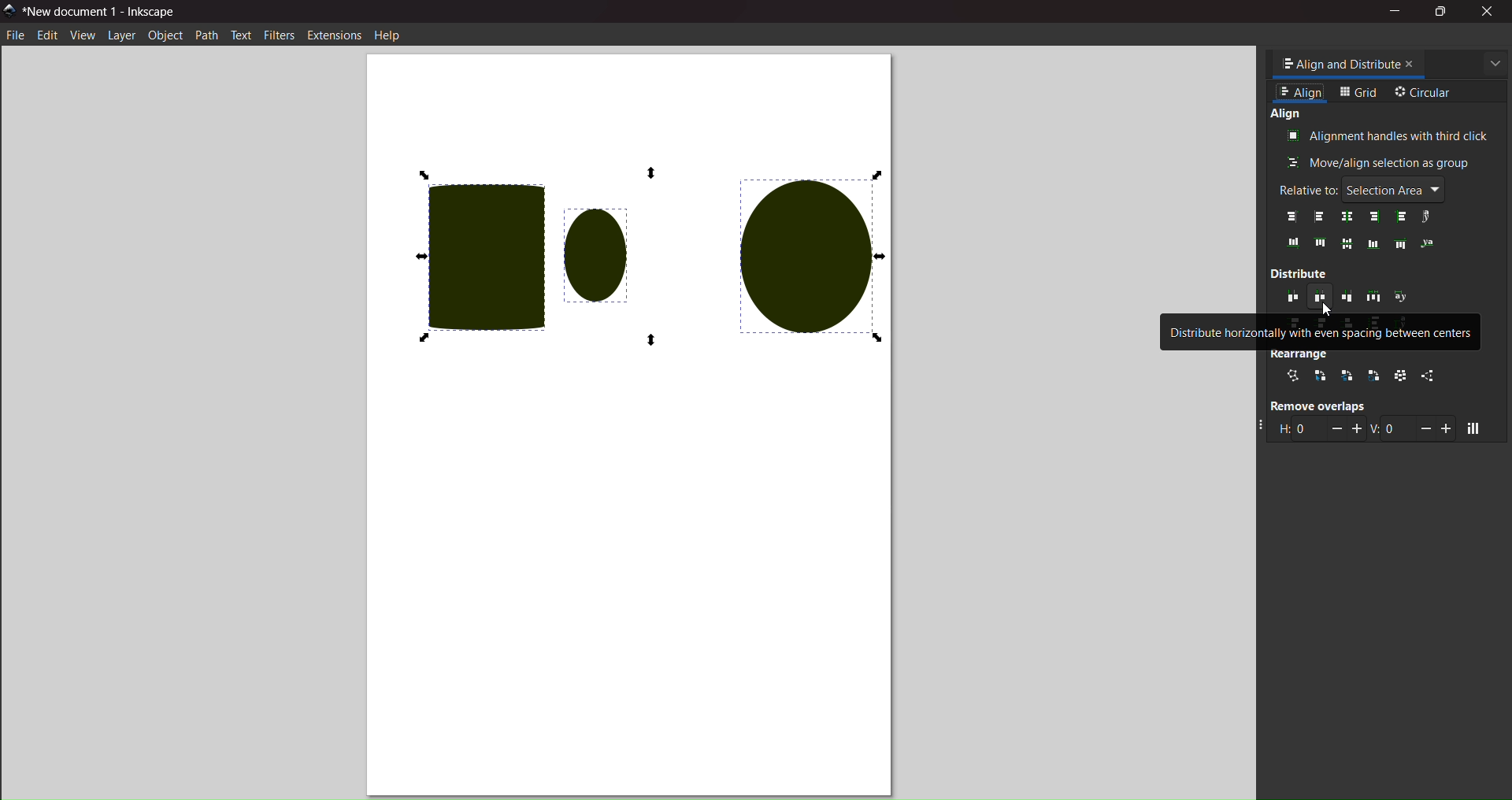  What do you see at coordinates (1312, 430) in the screenshot?
I see `horizontal gap` at bounding box center [1312, 430].